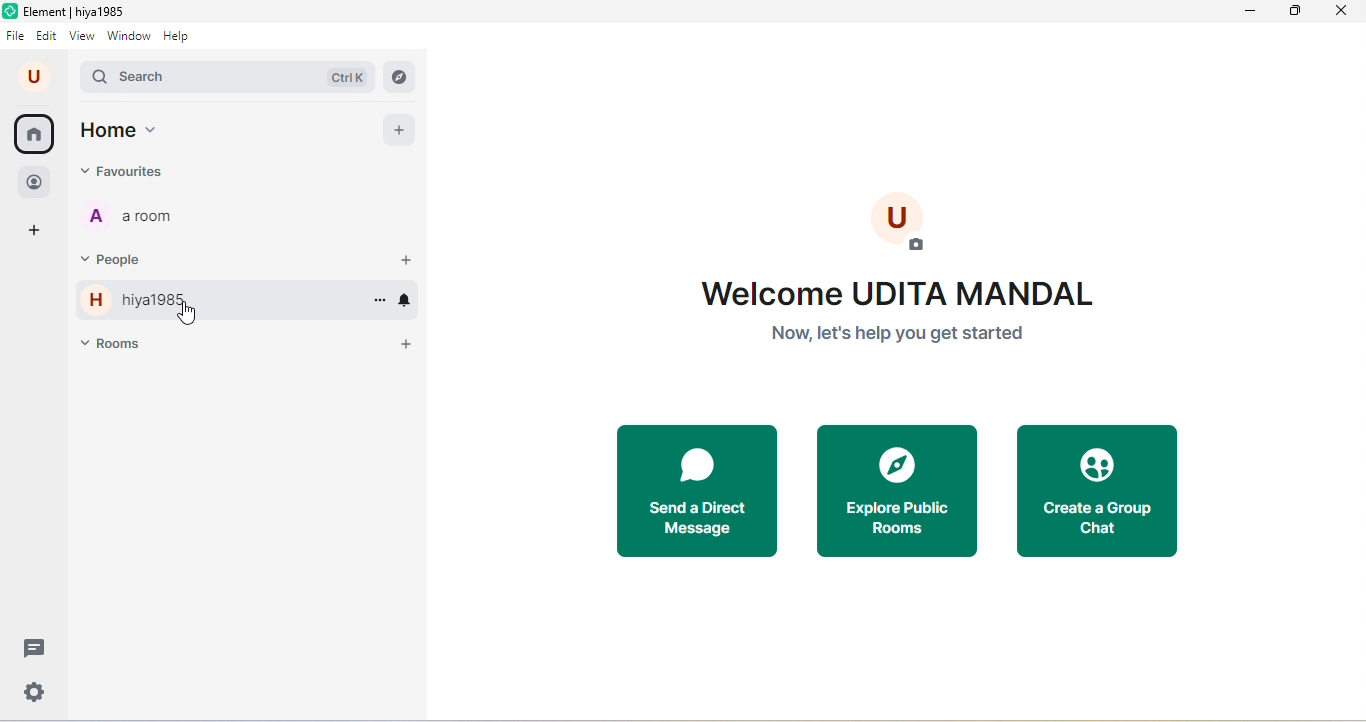 The height and width of the screenshot is (722, 1366). What do you see at coordinates (377, 300) in the screenshot?
I see `More Option` at bounding box center [377, 300].